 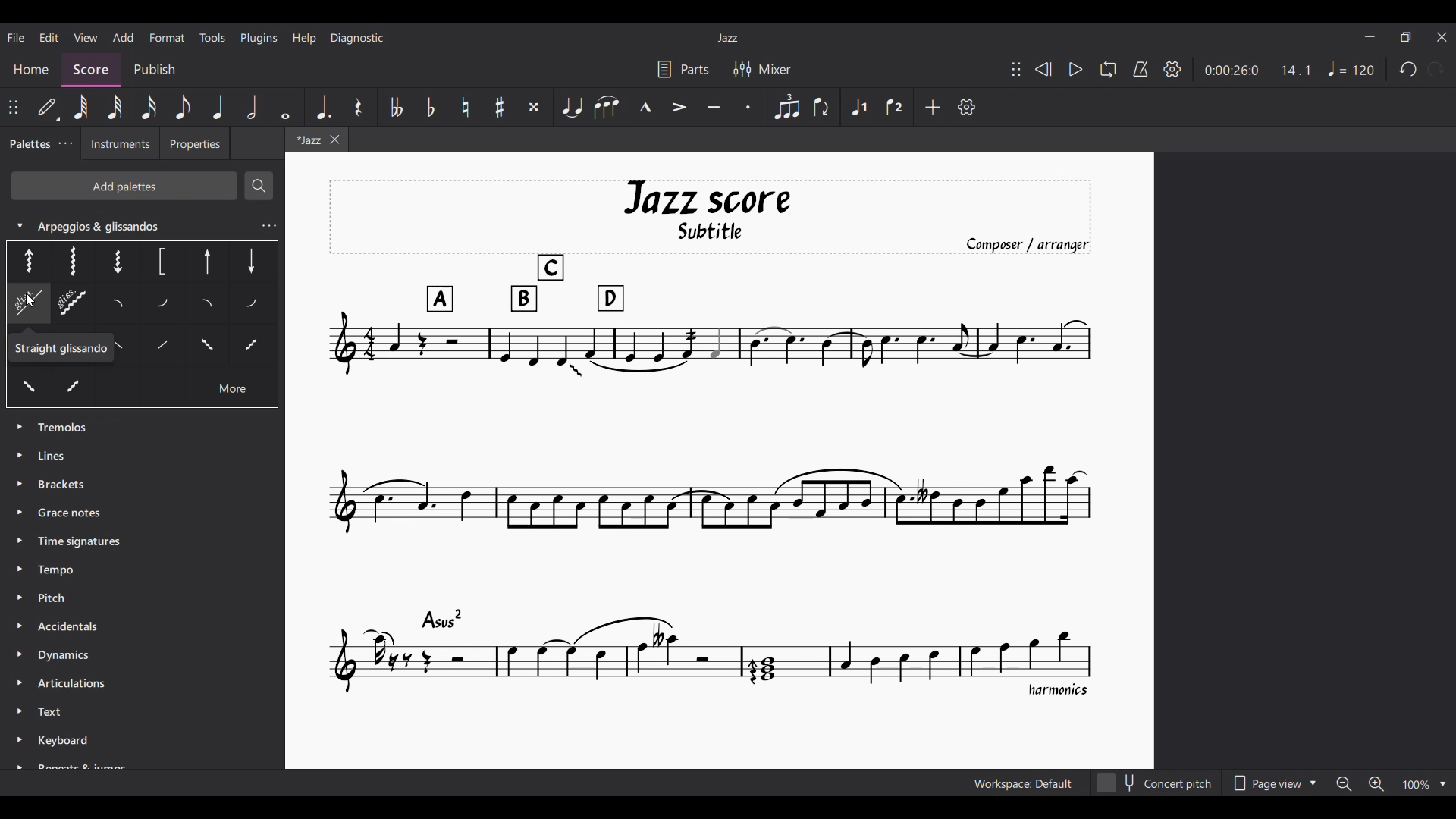 I want to click on Close interface, so click(x=1442, y=37).